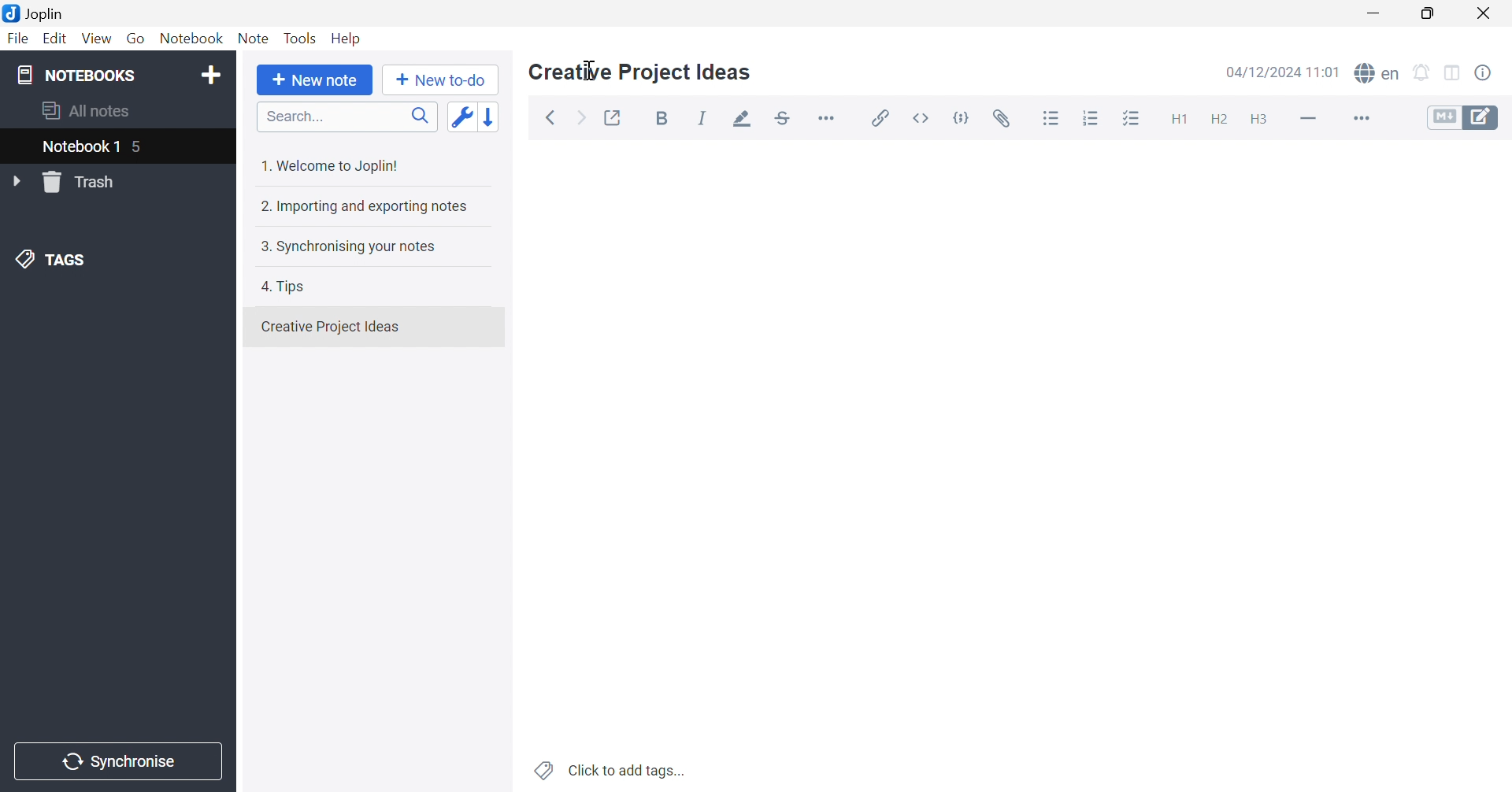  I want to click on Horizontal line, so click(1308, 119).